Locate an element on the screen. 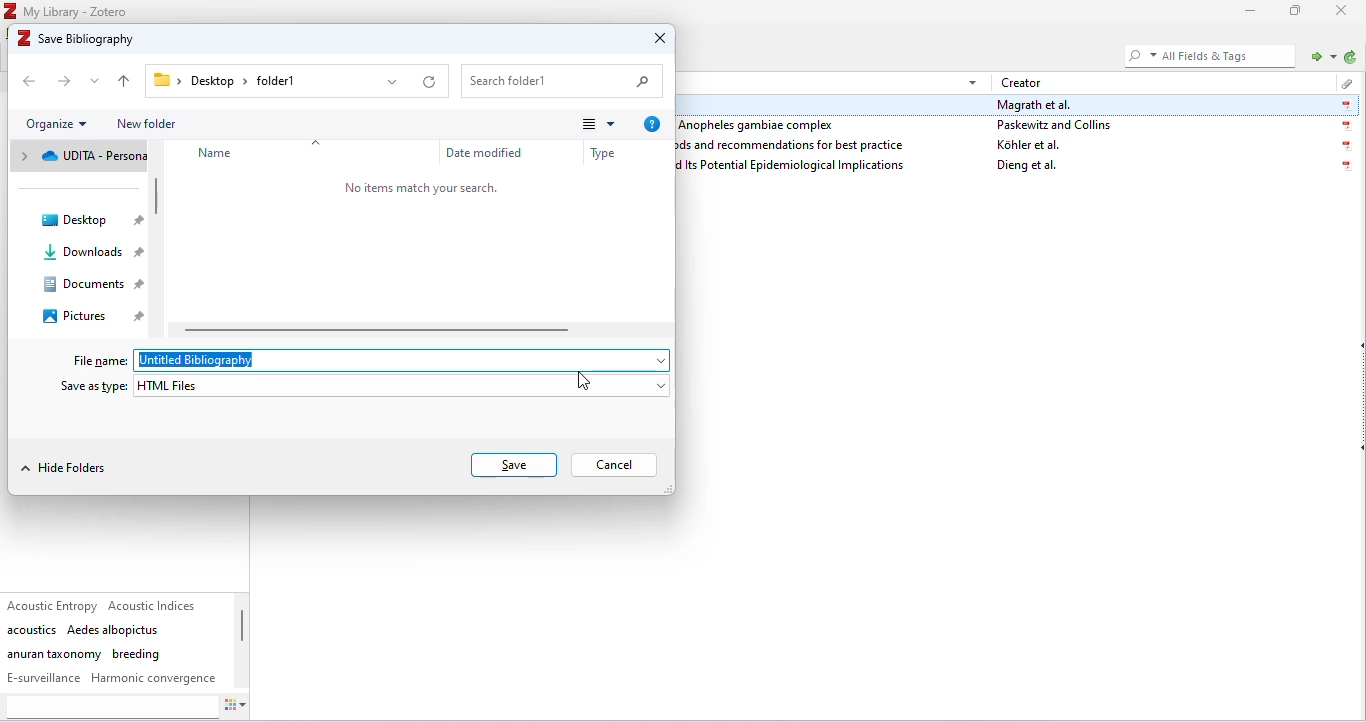 The width and height of the screenshot is (1366, 722). pdf is located at coordinates (1348, 147).